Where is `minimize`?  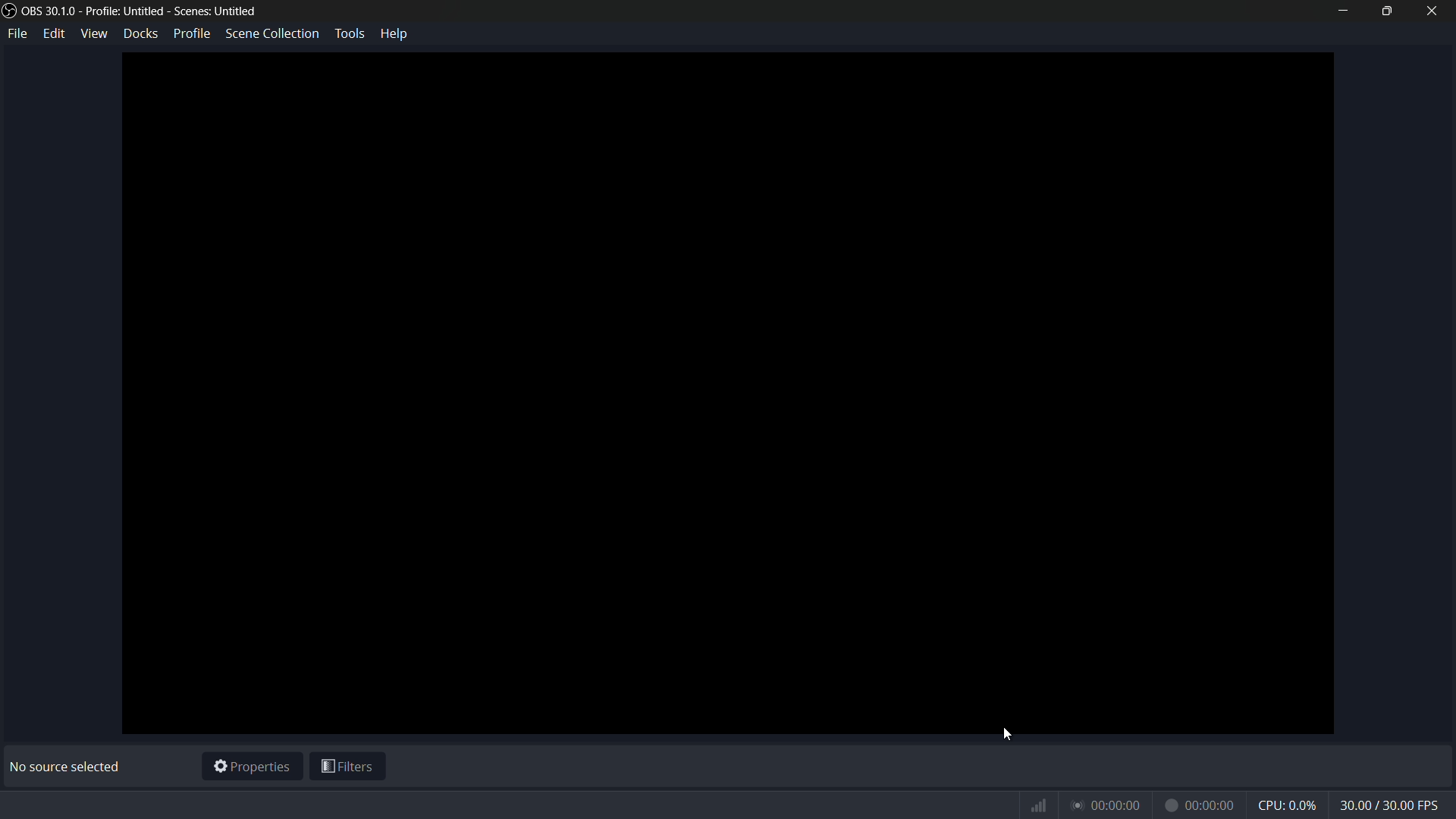 minimize is located at coordinates (1342, 11).